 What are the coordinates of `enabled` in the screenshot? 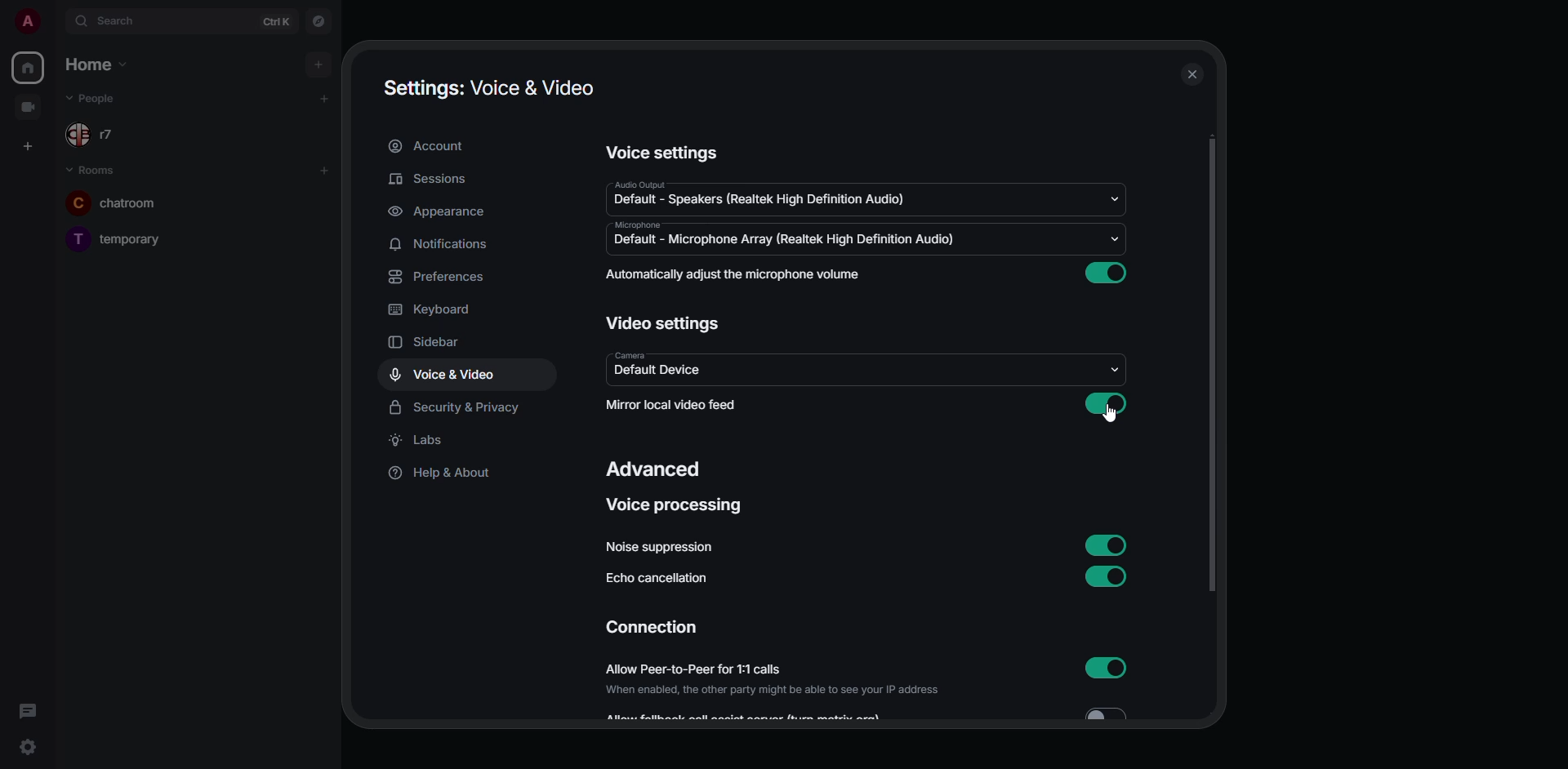 It's located at (1109, 575).